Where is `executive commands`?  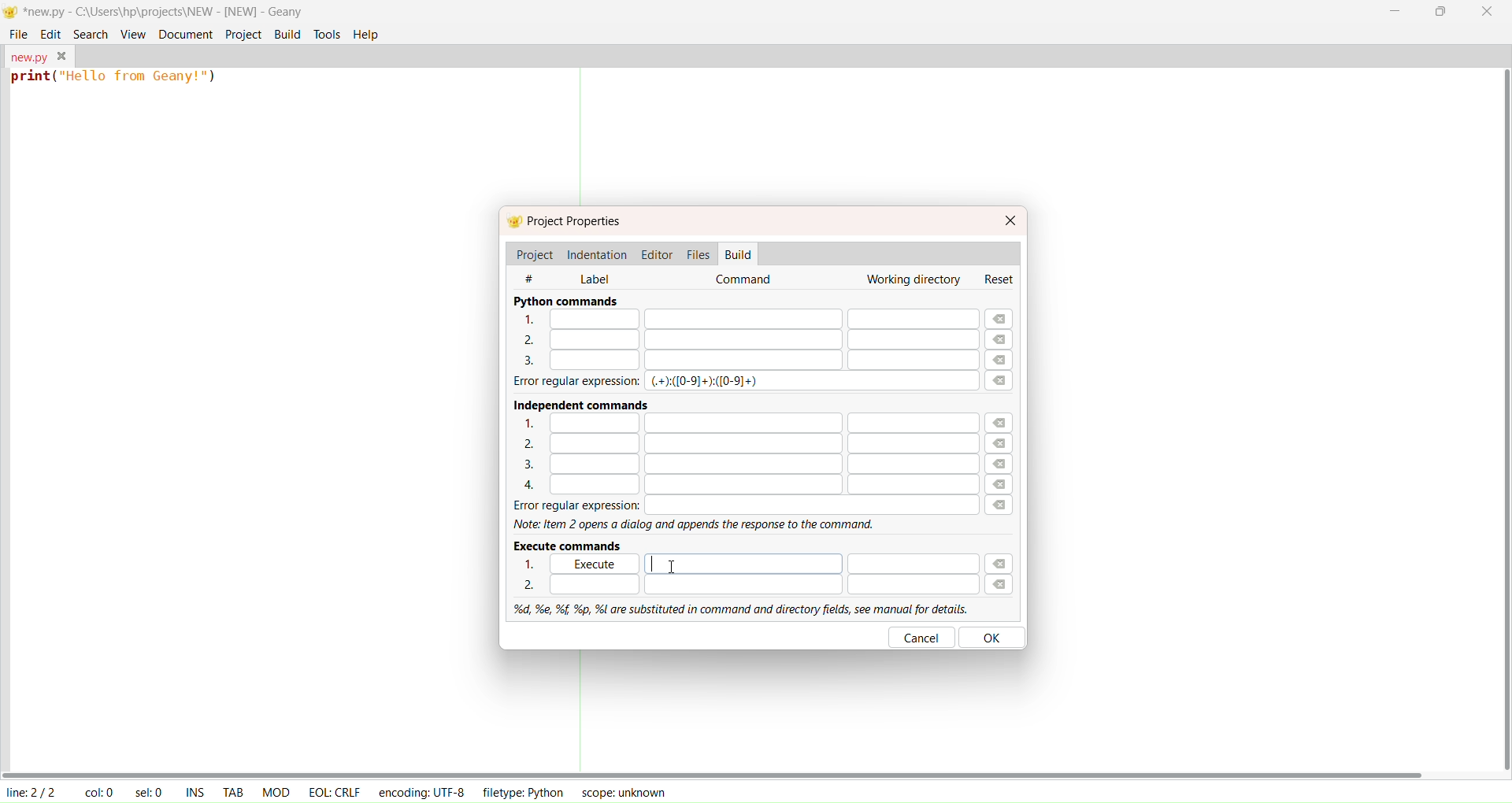
executive commands is located at coordinates (572, 545).